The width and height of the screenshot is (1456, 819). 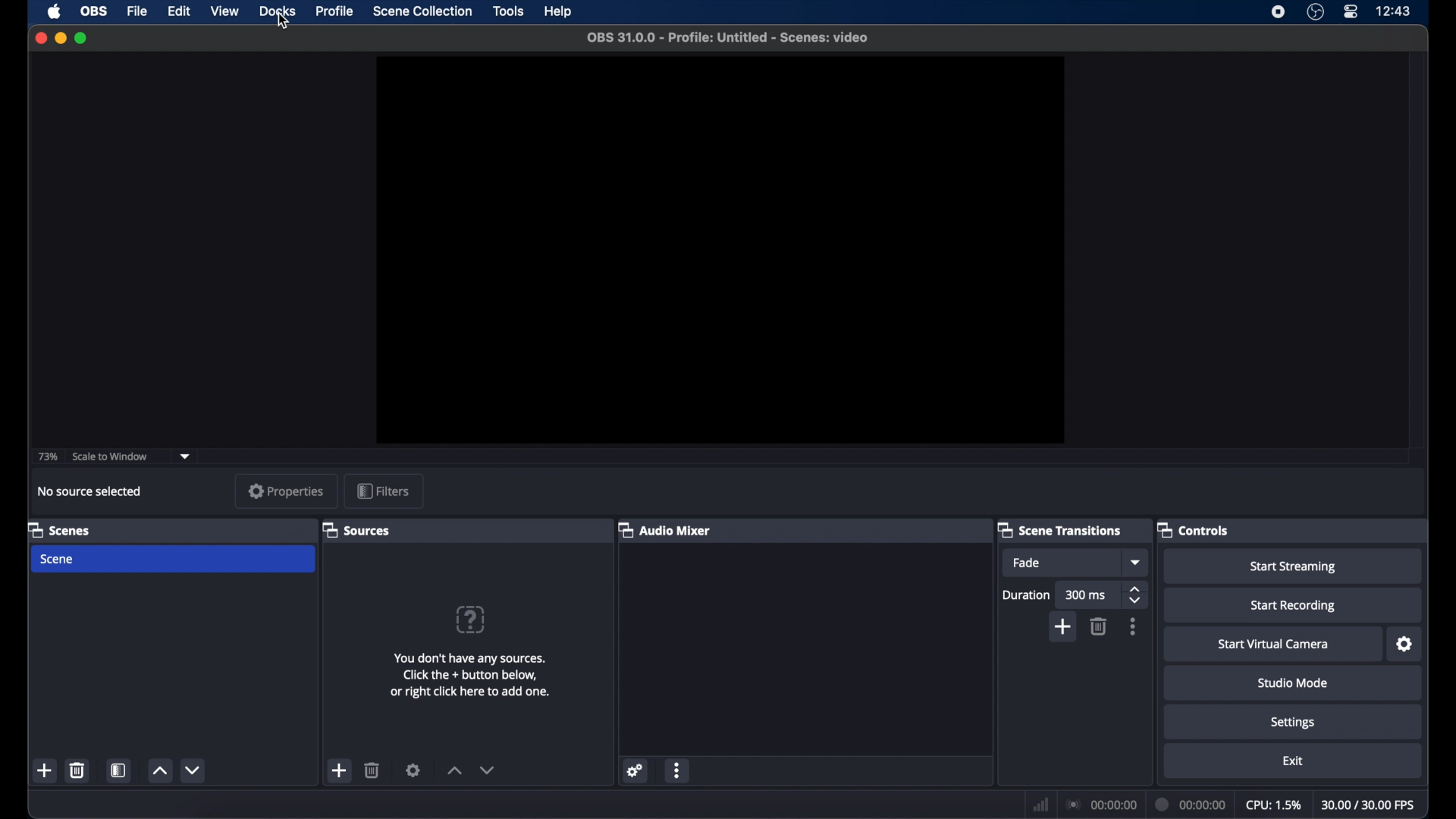 What do you see at coordinates (422, 11) in the screenshot?
I see `scene collection` at bounding box center [422, 11].